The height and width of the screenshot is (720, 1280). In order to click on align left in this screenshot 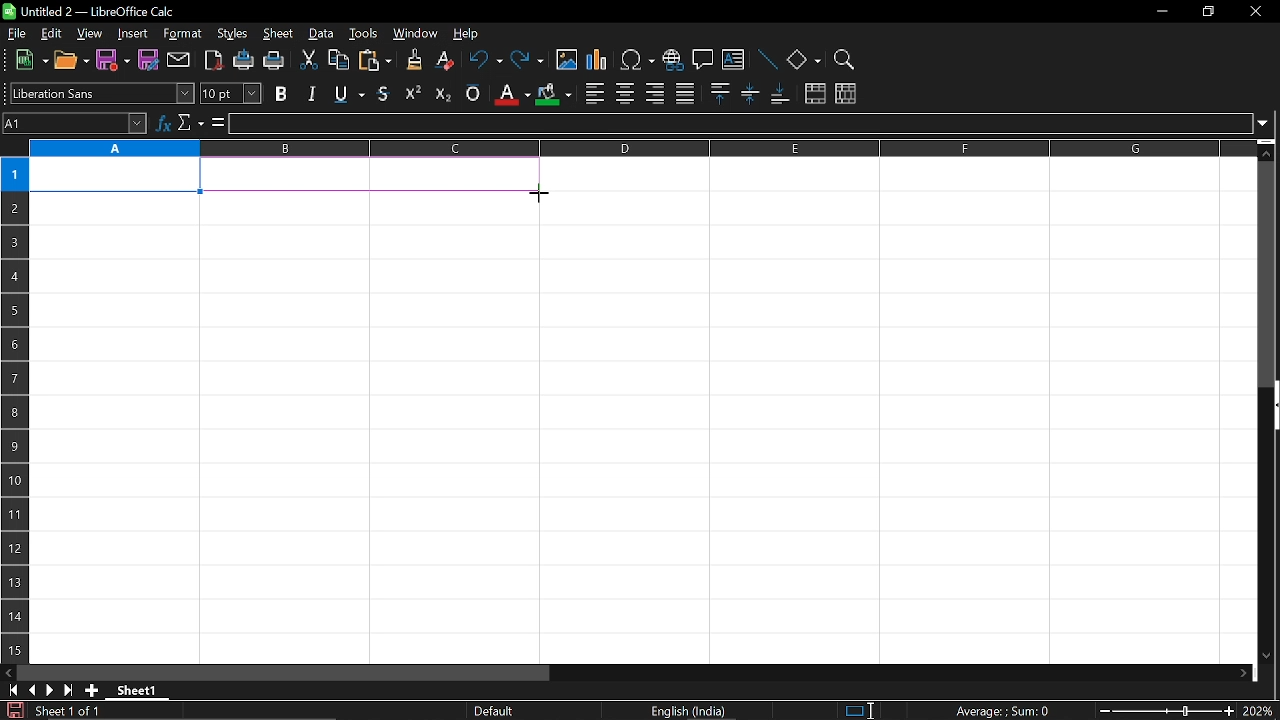, I will do `click(594, 92)`.